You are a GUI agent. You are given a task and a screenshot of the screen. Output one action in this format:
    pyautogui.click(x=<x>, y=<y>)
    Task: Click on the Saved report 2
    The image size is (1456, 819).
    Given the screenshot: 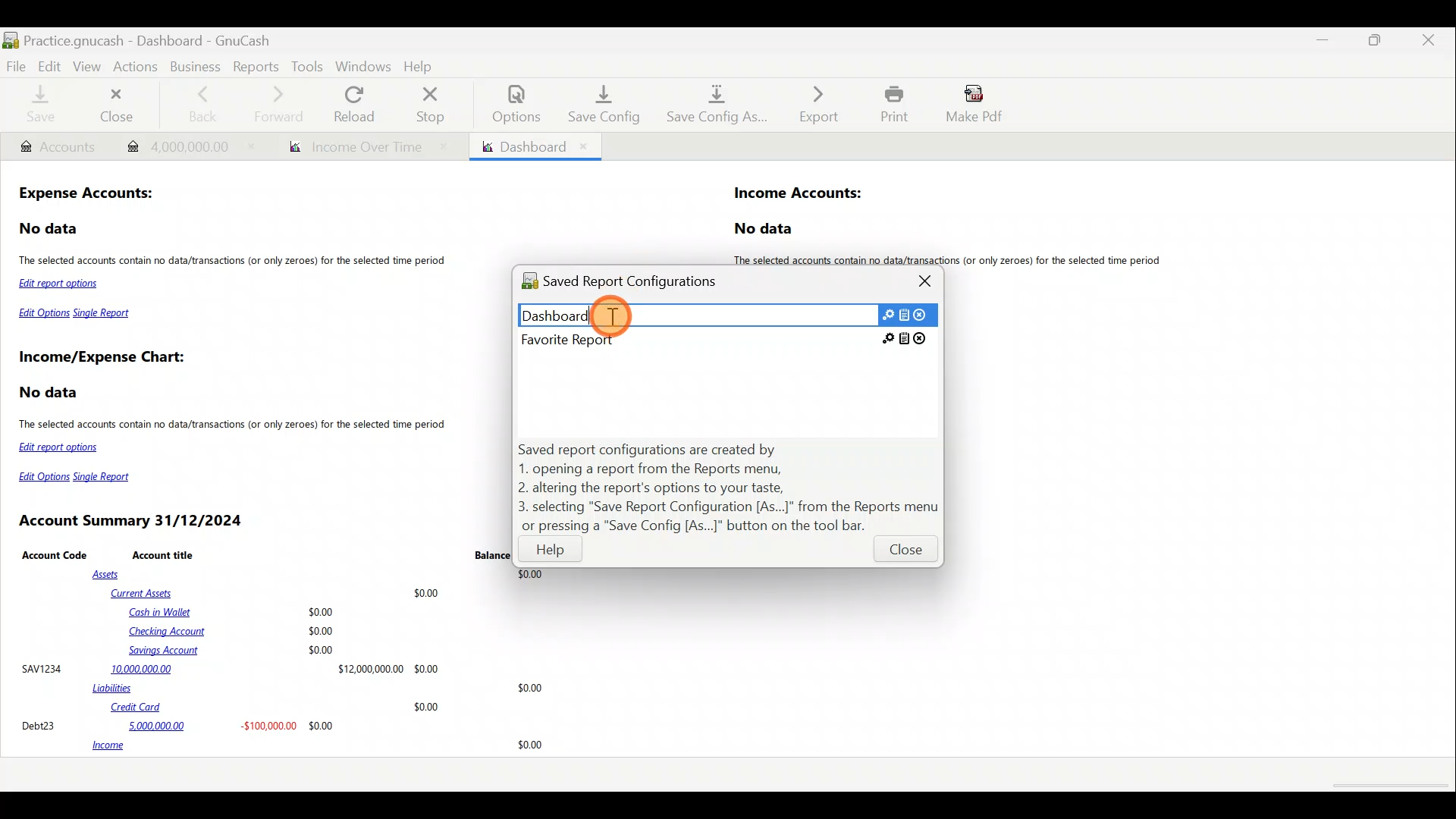 What is the action you would take?
    pyautogui.click(x=725, y=339)
    